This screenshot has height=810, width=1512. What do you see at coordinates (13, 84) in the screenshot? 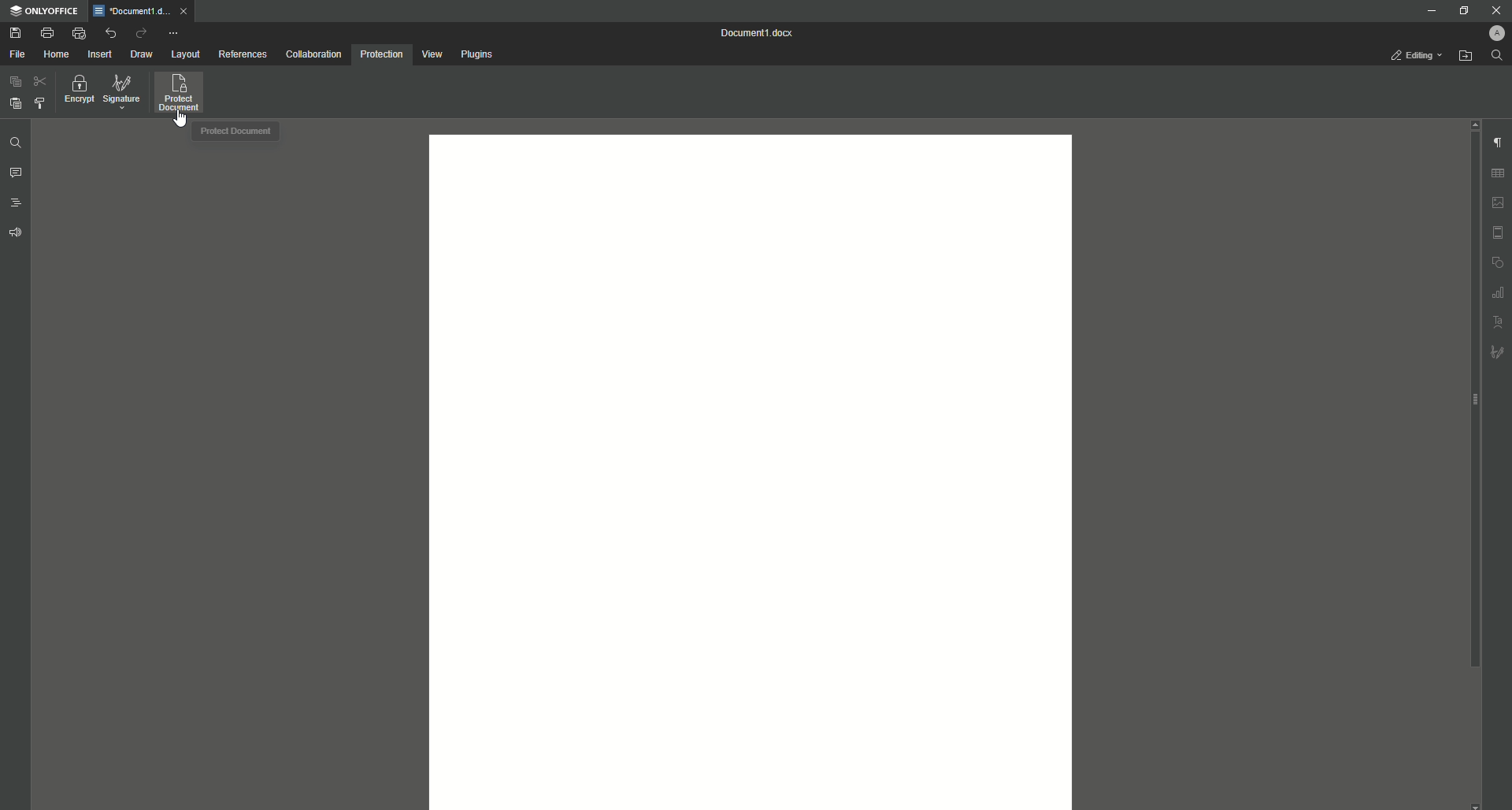
I see `Paste` at bounding box center [13, 84].